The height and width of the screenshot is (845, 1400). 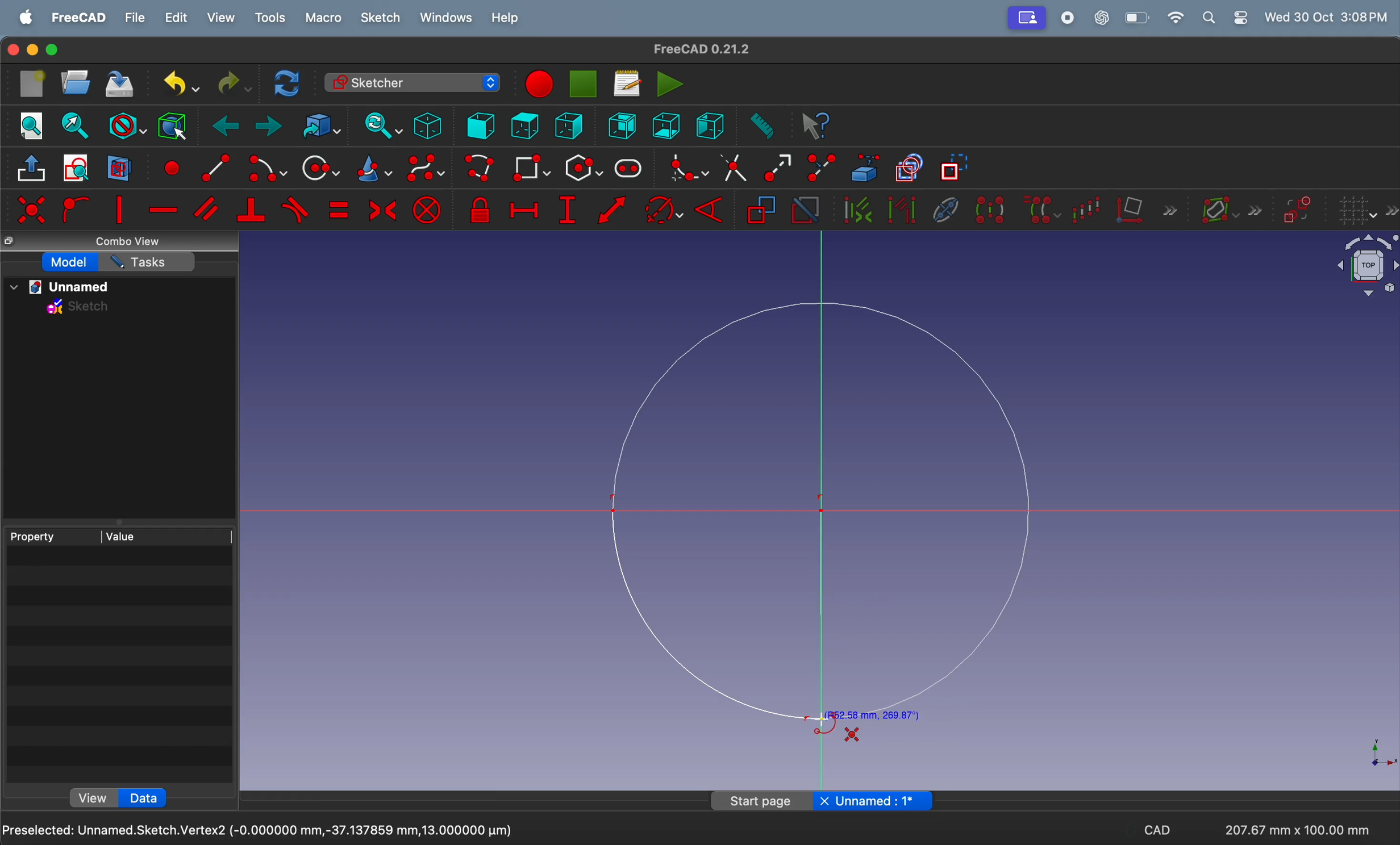 I want to click on marco, so click(x=325, y=19).